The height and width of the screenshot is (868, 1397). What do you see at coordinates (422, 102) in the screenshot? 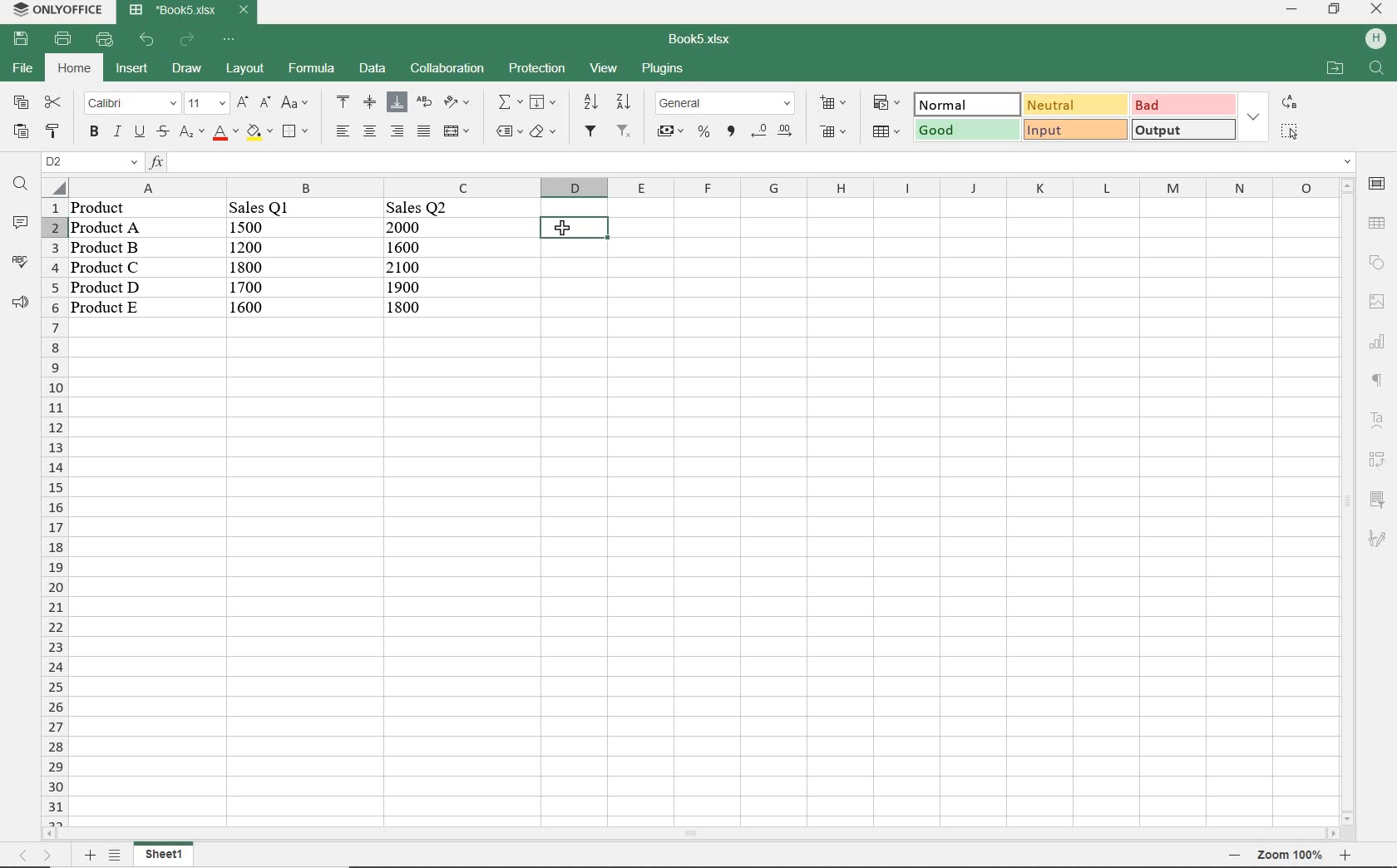
I see `wrap text` at bounding box center [422, 102].